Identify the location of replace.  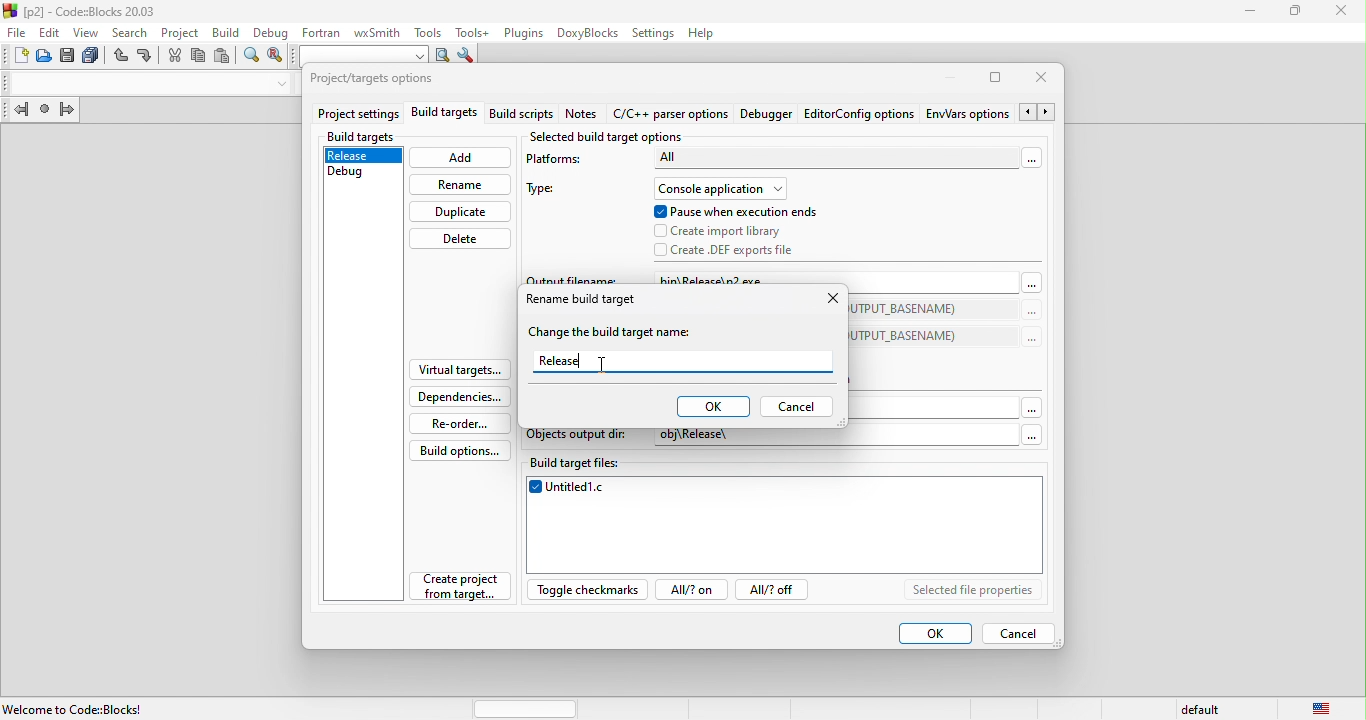
(275, 57).